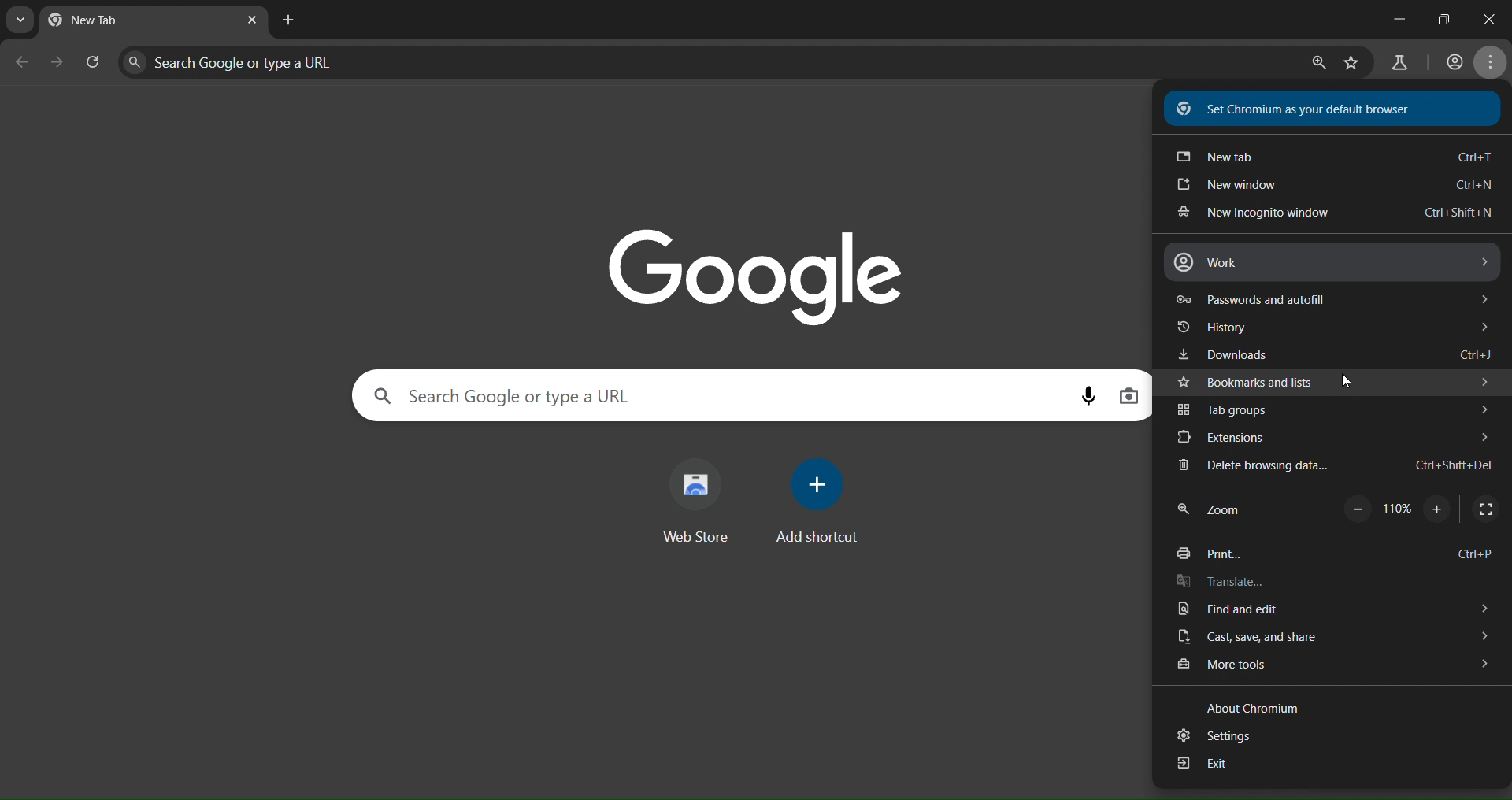  Describe the element at coordinates (714, 397) in the screenshot. I see `Search Google or type a URL` at that location.